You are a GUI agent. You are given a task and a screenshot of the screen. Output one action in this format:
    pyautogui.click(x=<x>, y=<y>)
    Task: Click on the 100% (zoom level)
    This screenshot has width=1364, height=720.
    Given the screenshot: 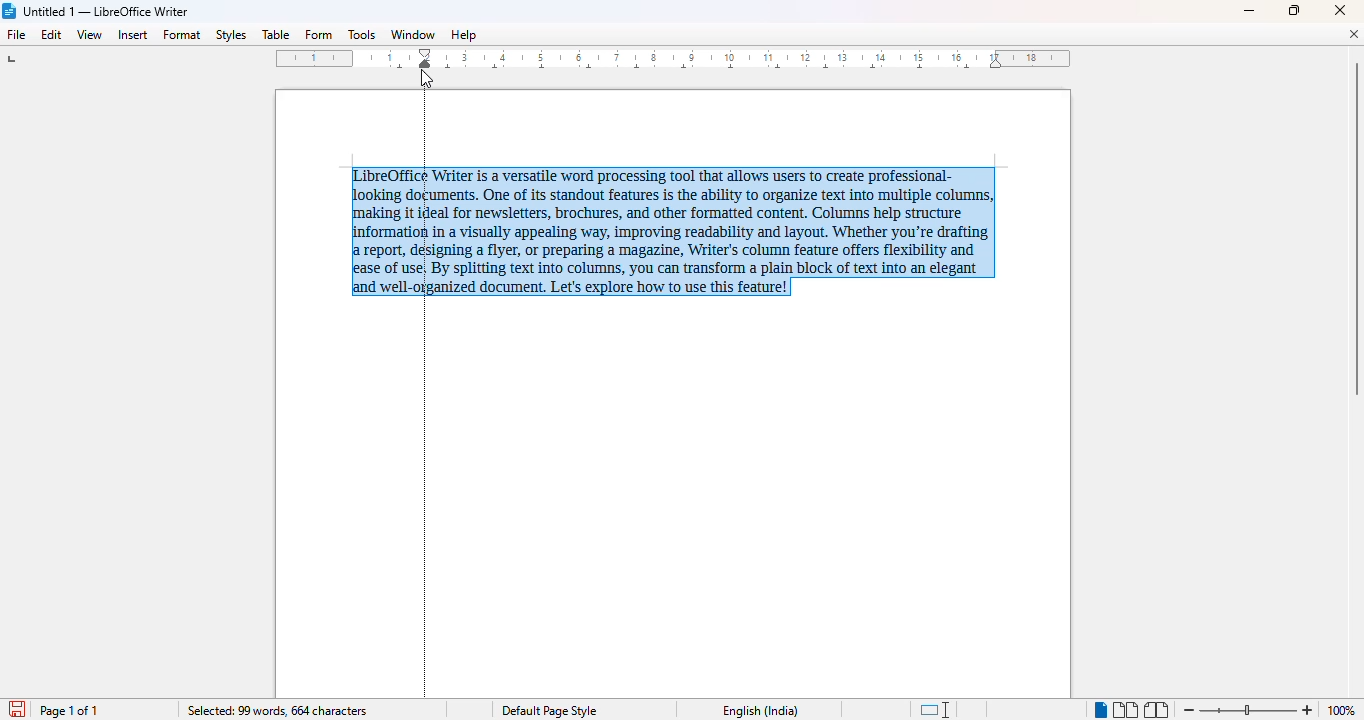 What is the action you would take?
    pyautogui.click(x=1344, y=710)
    